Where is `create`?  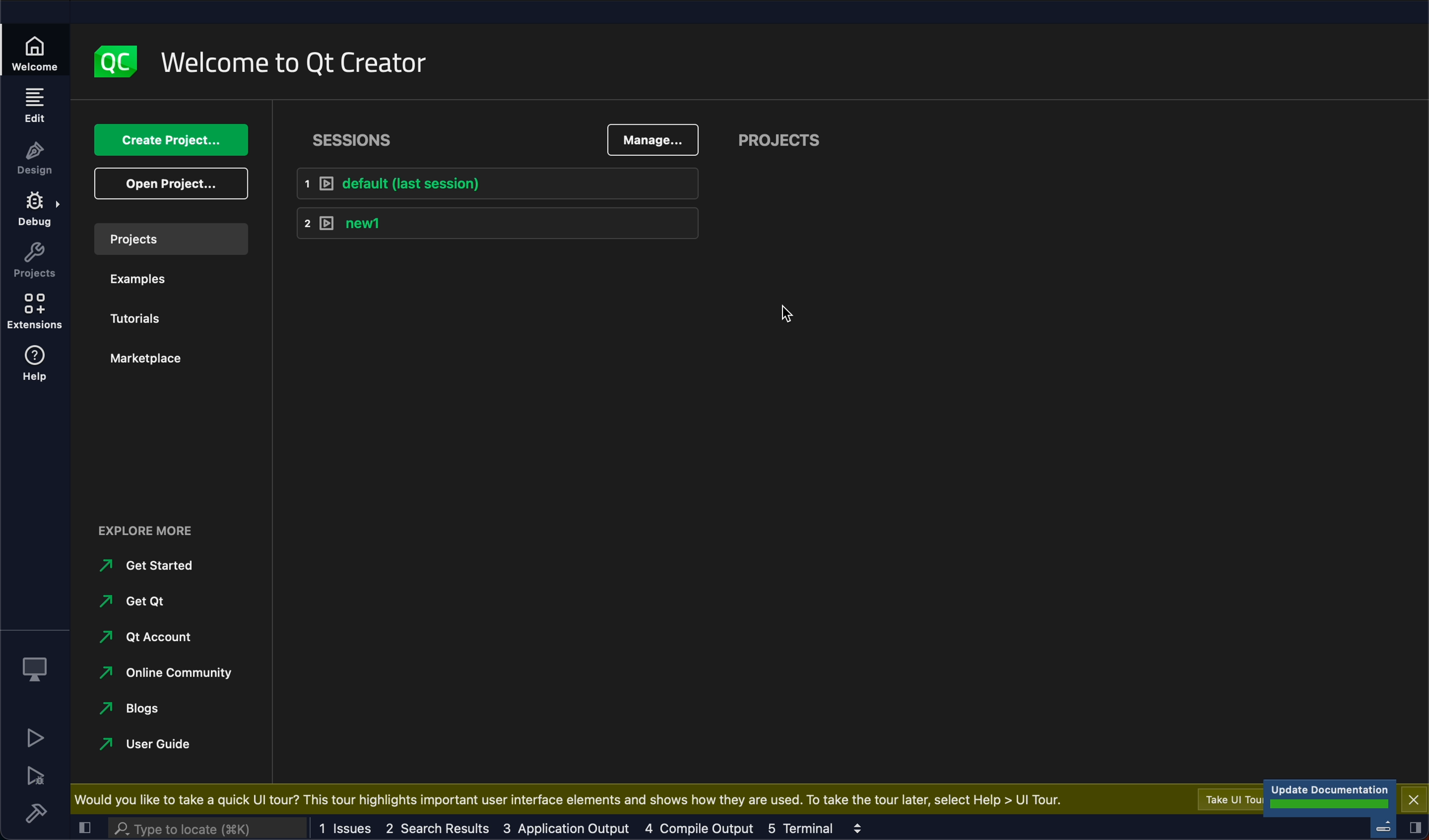 create is located at coordinates (164, 141).